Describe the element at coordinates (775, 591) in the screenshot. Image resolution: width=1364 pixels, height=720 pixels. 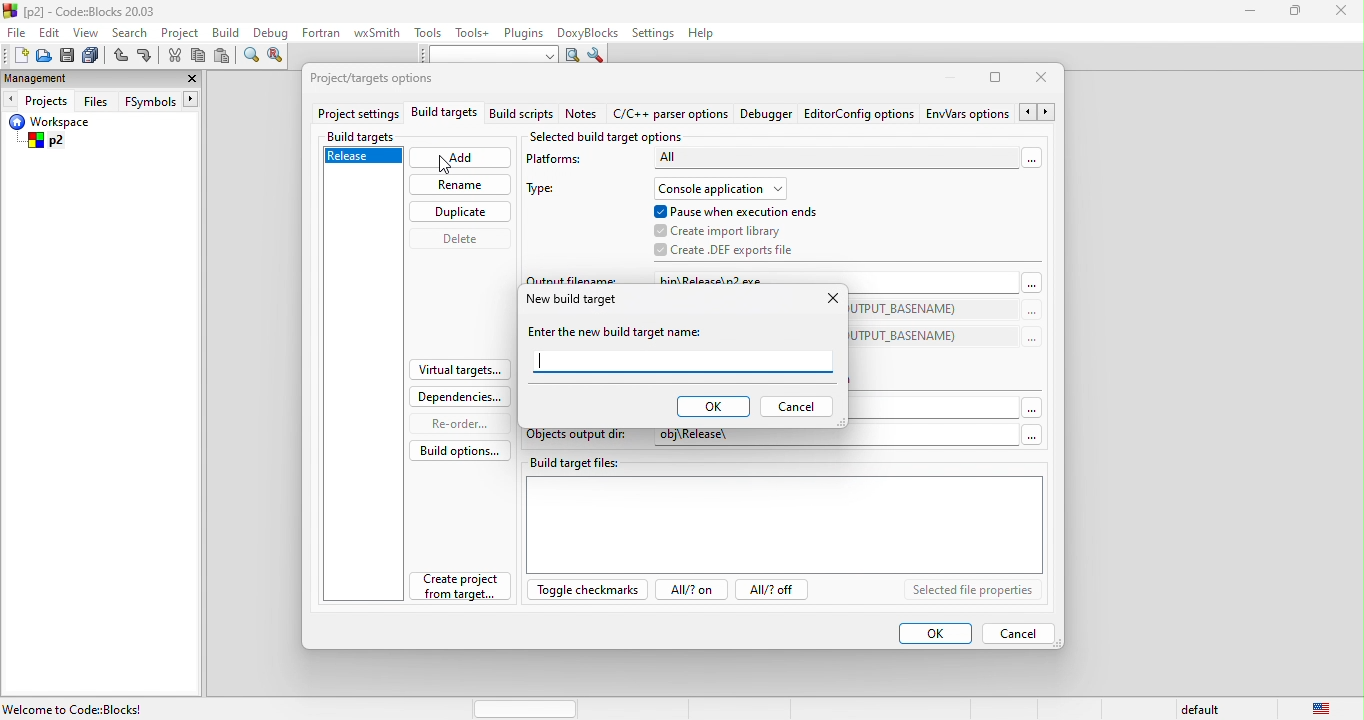
I see `all? off` at that location.